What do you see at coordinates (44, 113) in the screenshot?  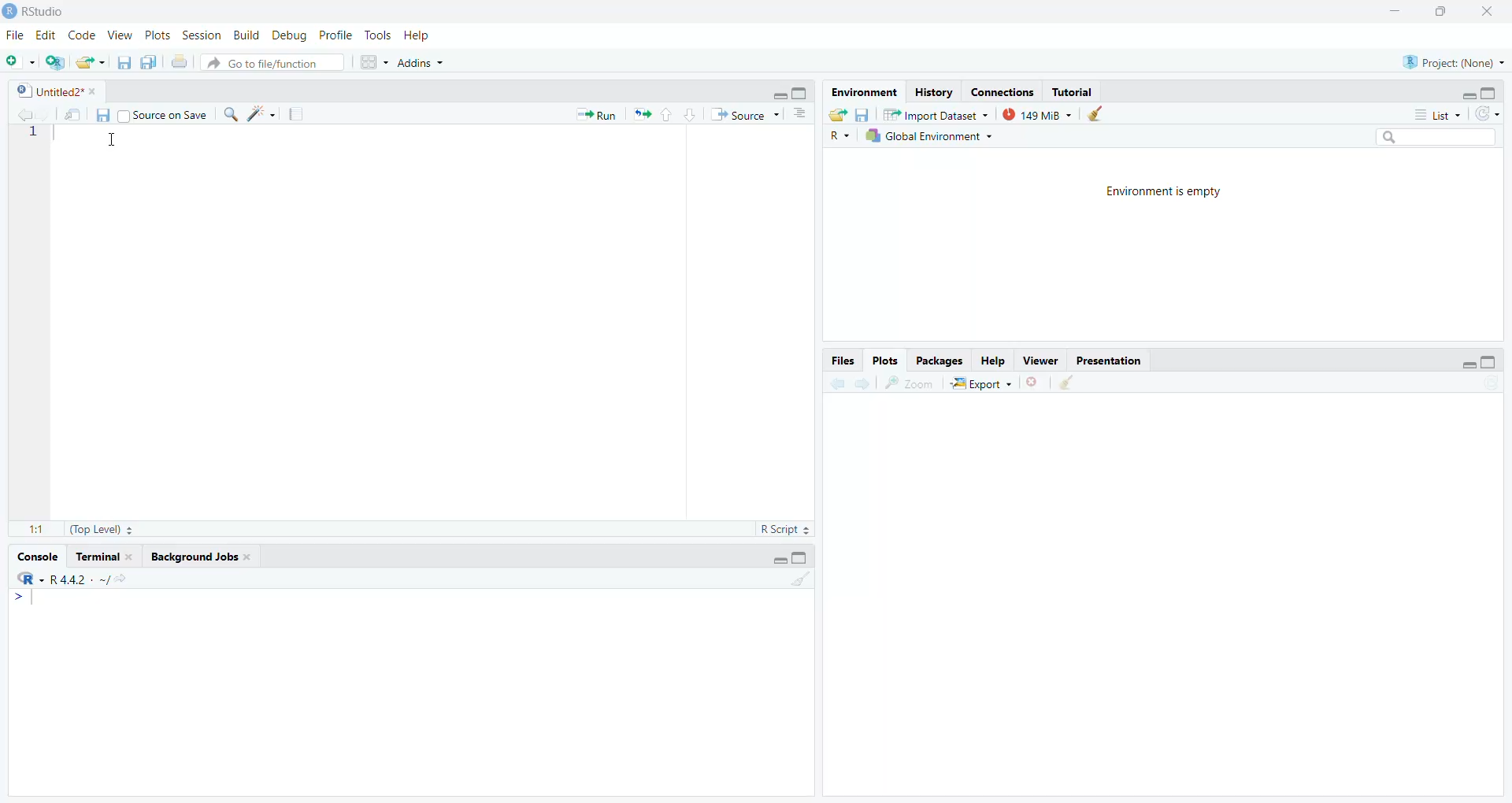 I see `Go forward to the next source location (Ctrl + F10)` at bounding box center [44, 113].